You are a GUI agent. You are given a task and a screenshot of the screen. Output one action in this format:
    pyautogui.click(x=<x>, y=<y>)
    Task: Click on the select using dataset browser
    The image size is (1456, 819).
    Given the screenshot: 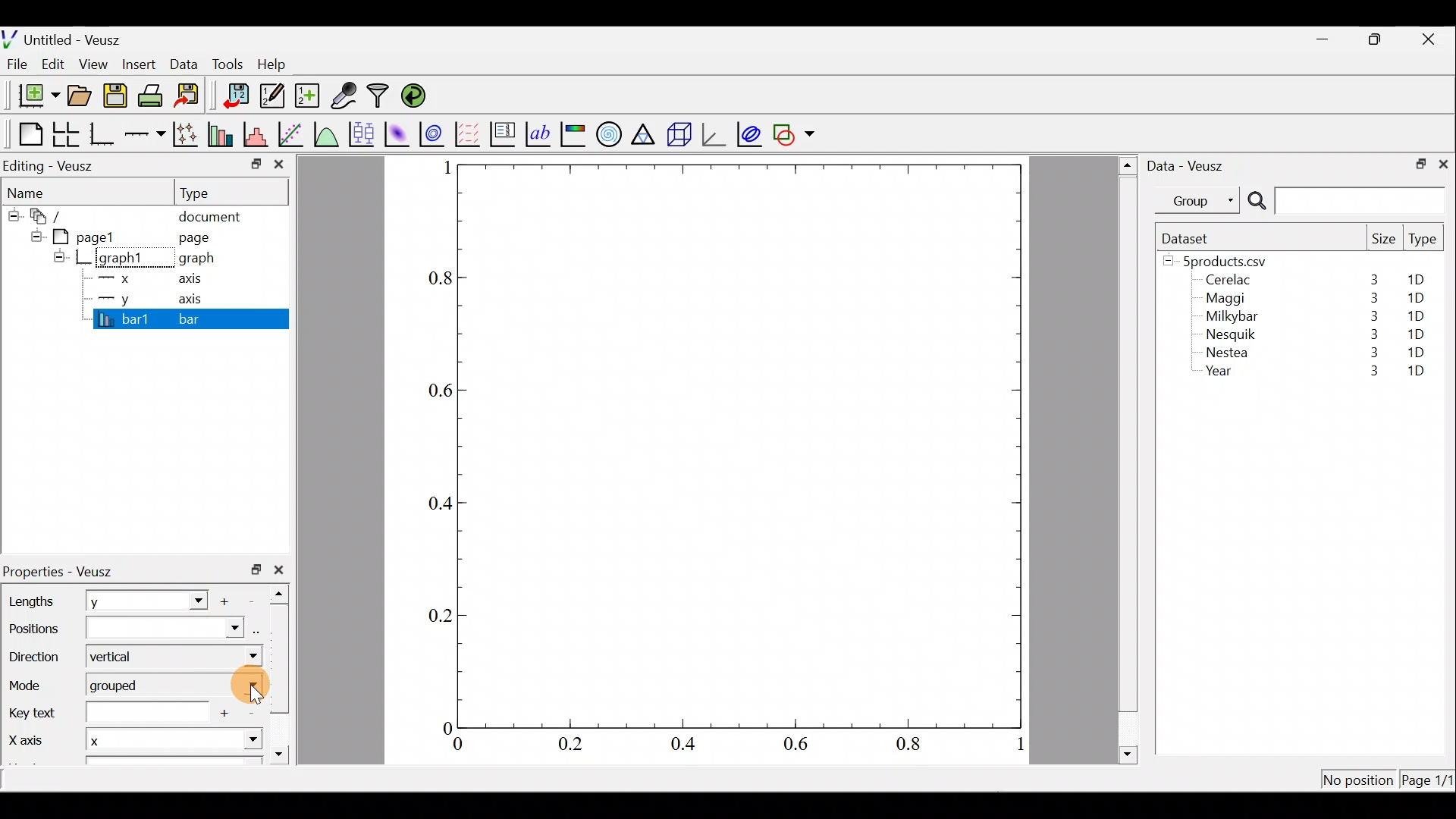 What is the action you would take?
    pyautogui.click(x=259, y=629)
    